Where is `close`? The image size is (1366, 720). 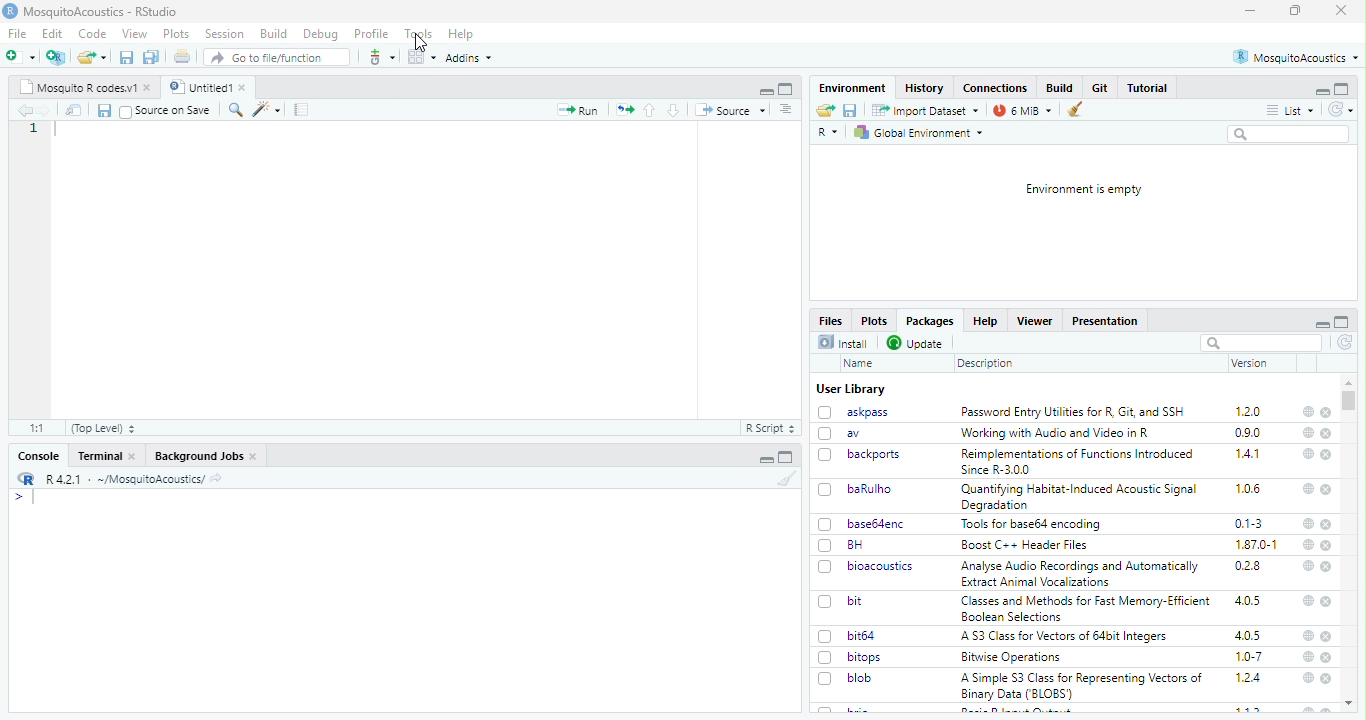 close is located at coordinates (1328, 413).